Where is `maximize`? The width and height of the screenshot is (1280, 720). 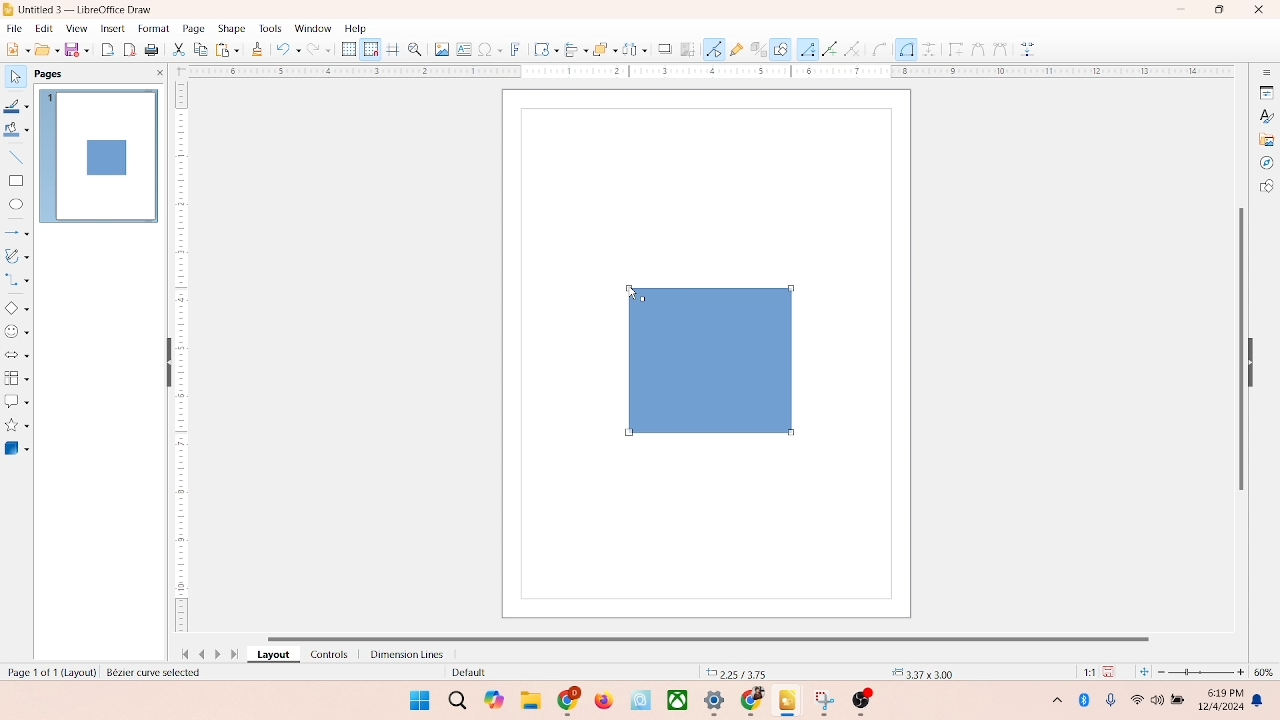 maximize is located at coordinates (1219, 10).